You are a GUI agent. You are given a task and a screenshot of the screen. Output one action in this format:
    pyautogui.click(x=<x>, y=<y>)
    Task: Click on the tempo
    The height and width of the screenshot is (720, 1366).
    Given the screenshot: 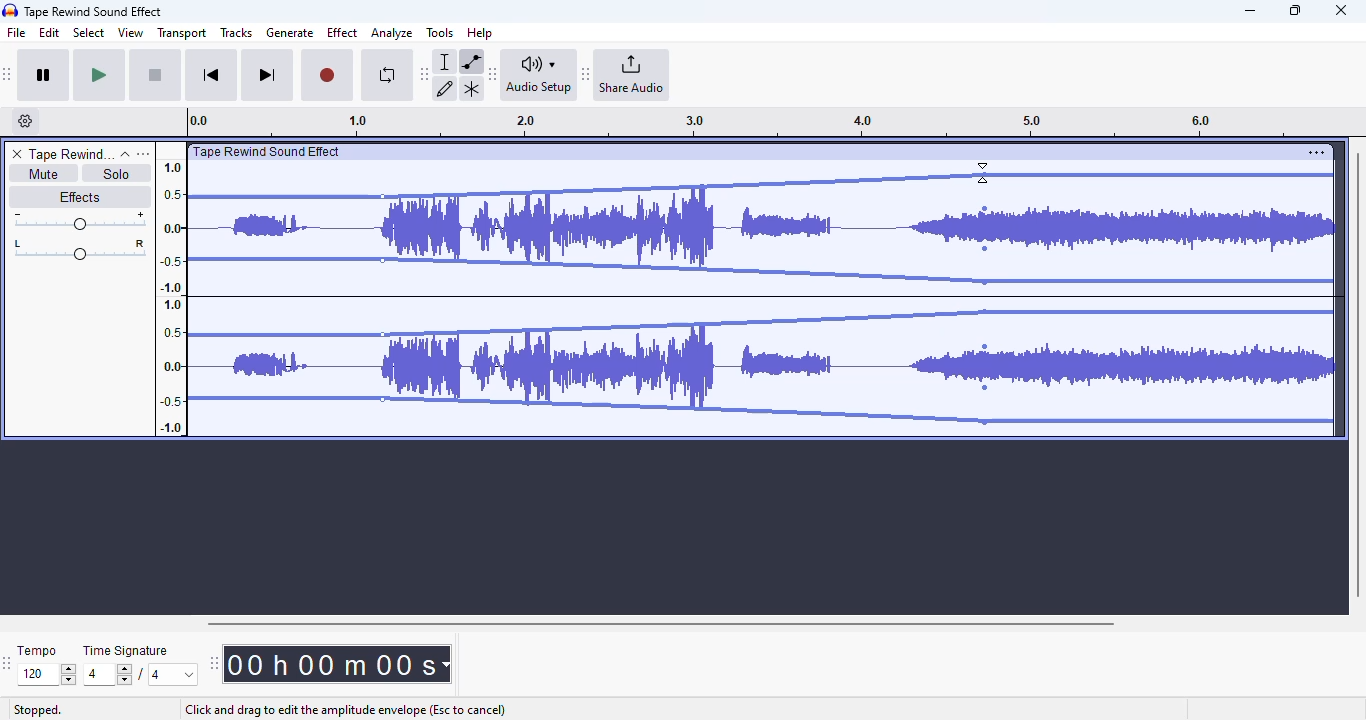 What is the action you would take?
    pyautogui.click(x=37, y=650)
    